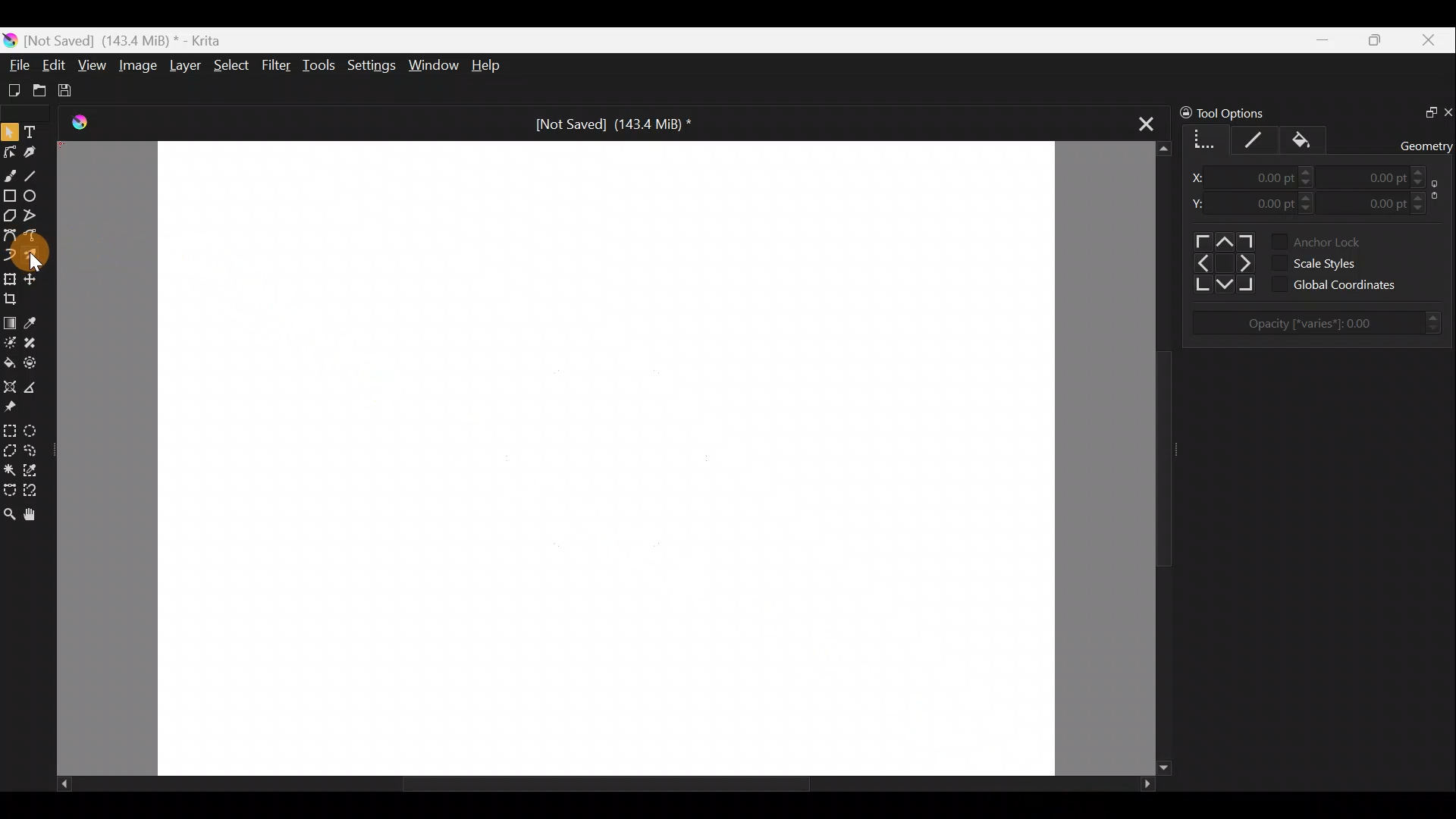 This screenshot has height=819, width=1456. I want to click on Pan tool, so click(35, 516).